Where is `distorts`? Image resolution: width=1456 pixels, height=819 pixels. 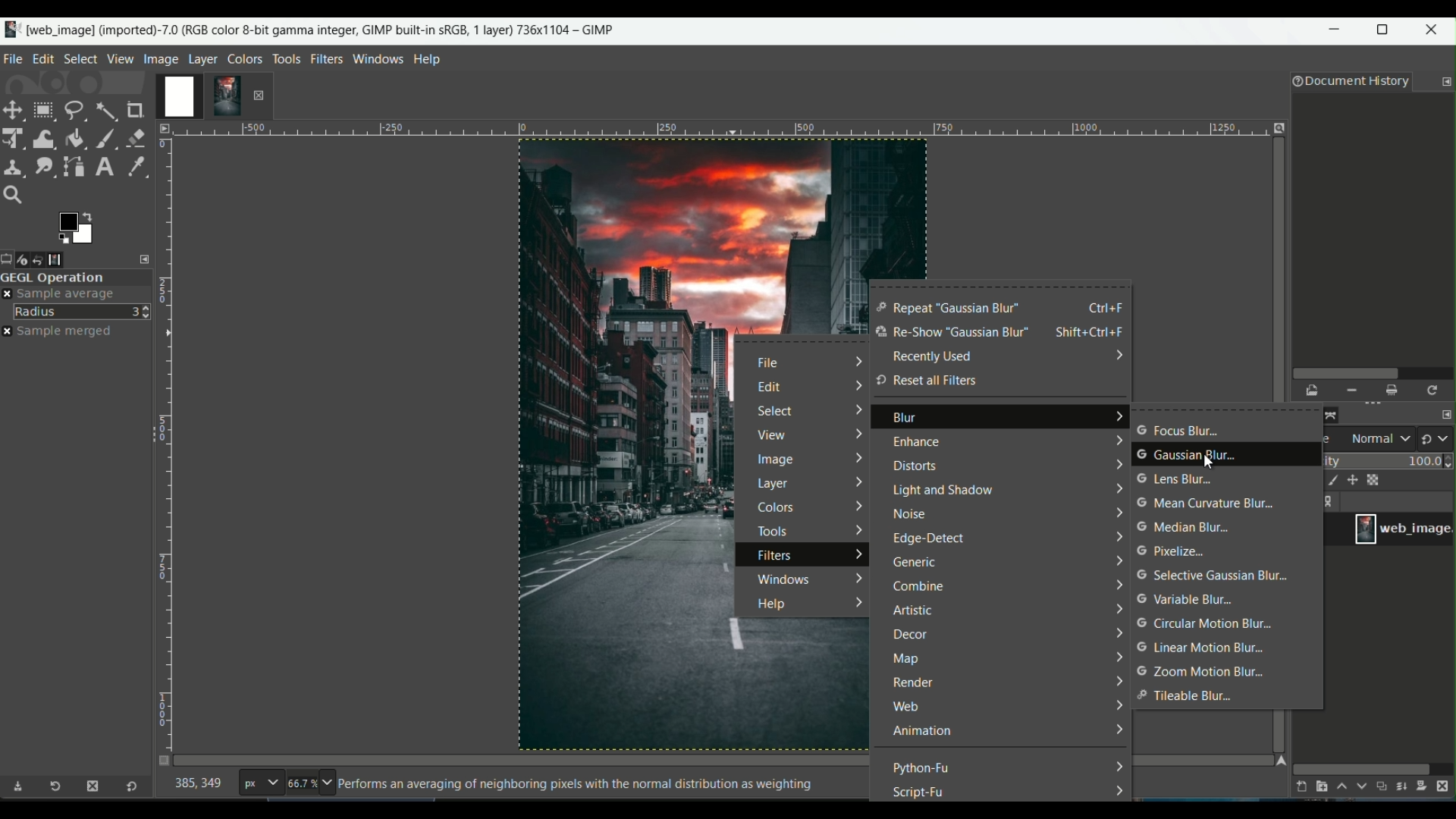 distorts is located at coordinates (913, 466).